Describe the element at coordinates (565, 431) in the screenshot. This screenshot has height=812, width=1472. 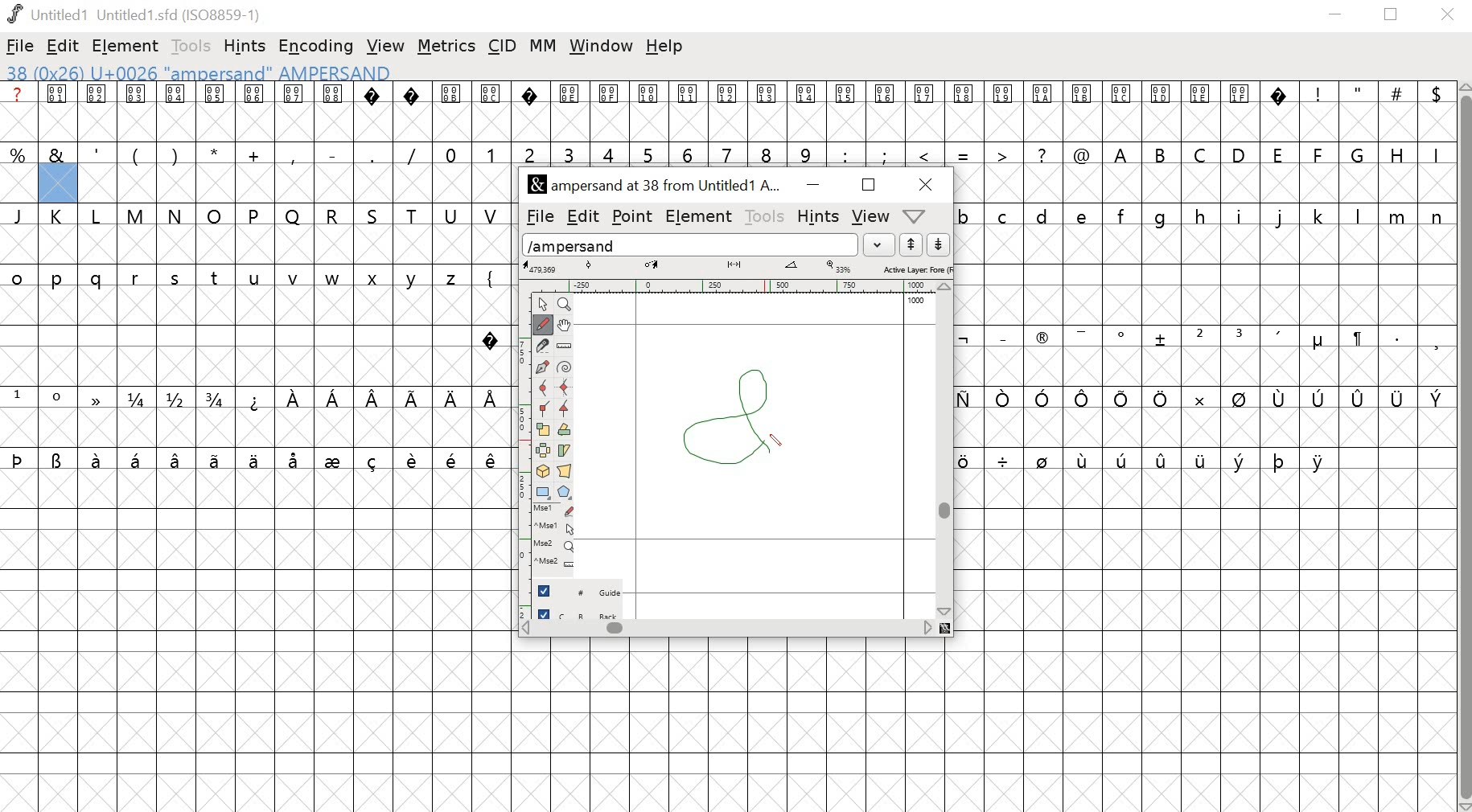
I see `rotate selection` at that location.